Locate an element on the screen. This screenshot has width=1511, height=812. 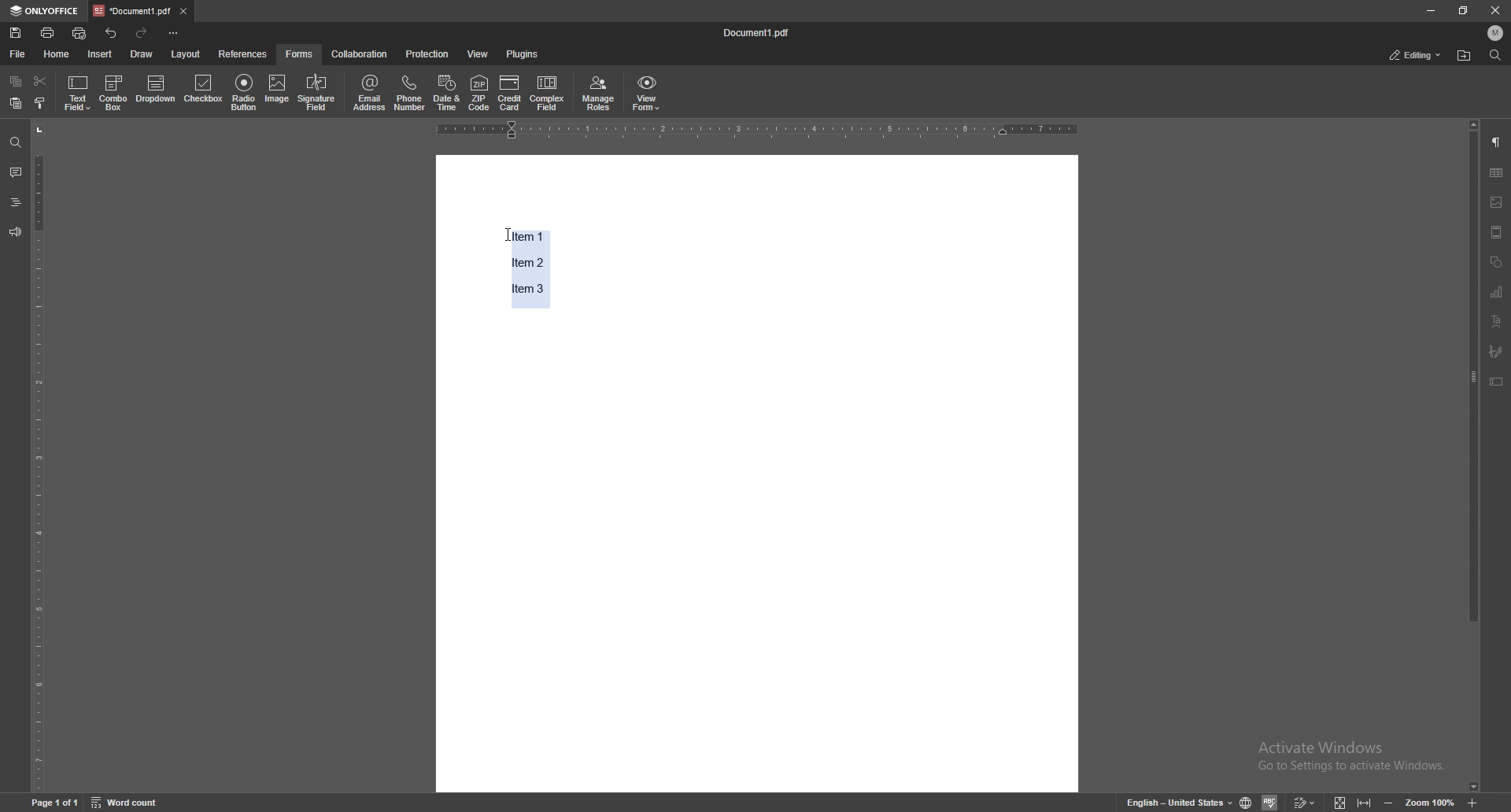
word count is located at coordinates (125, 802).